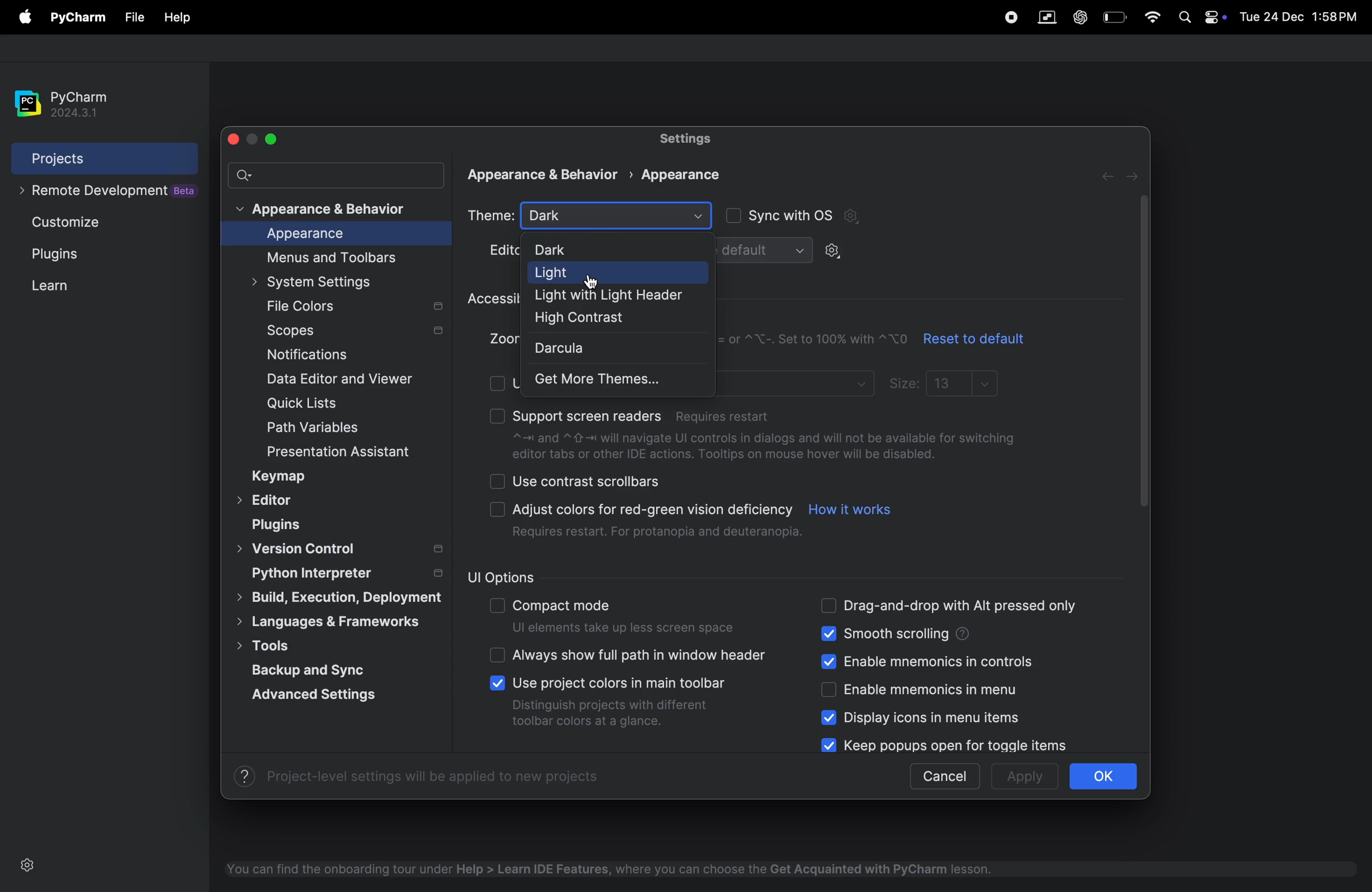 The width and height of the screenshot is (1372, 892). Describe the element at coordinates (609, 316) in the screenshot. I see `high contarst` at that location.